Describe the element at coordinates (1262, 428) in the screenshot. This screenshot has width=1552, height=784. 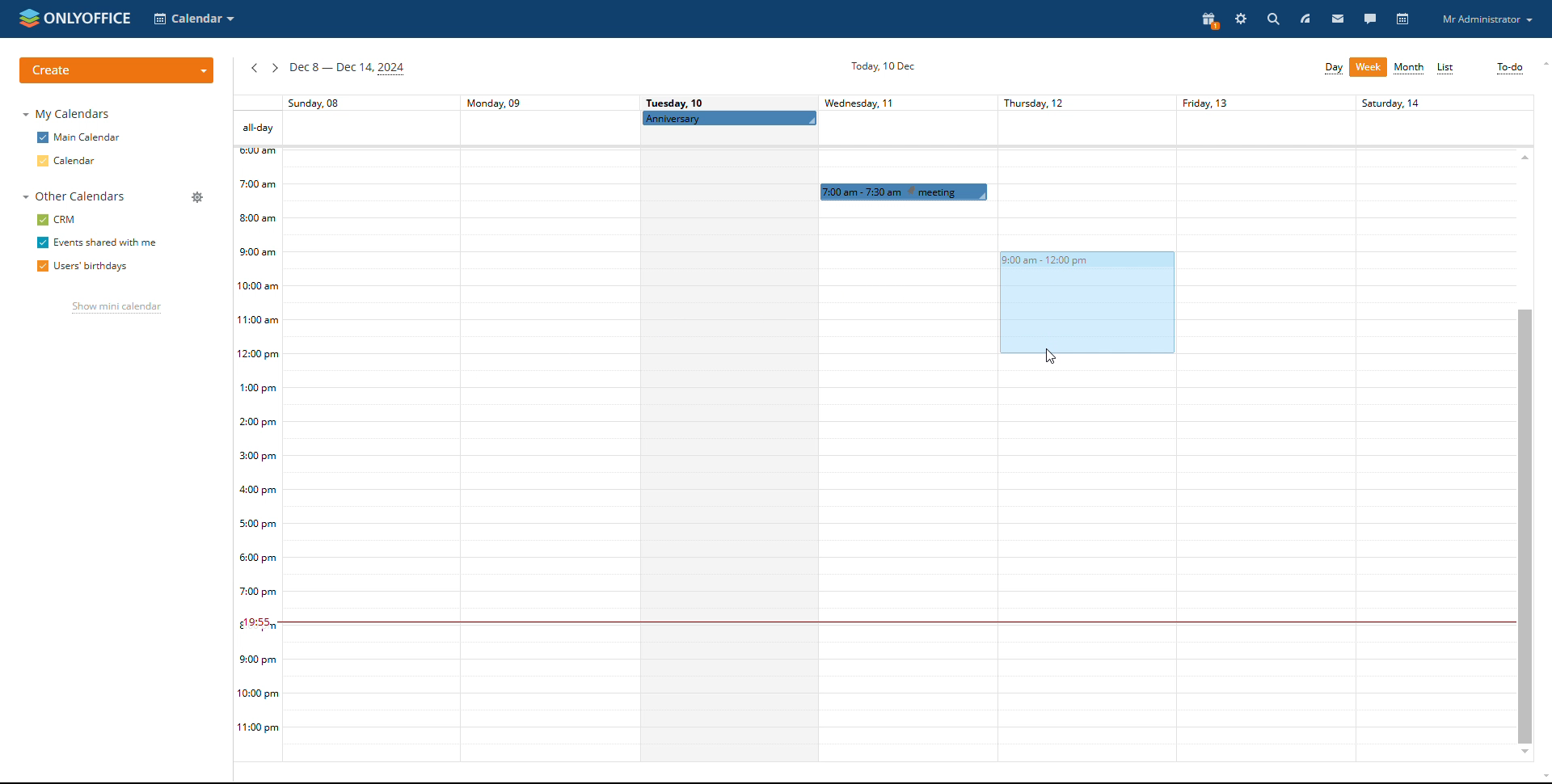
I see `friday` at that location.